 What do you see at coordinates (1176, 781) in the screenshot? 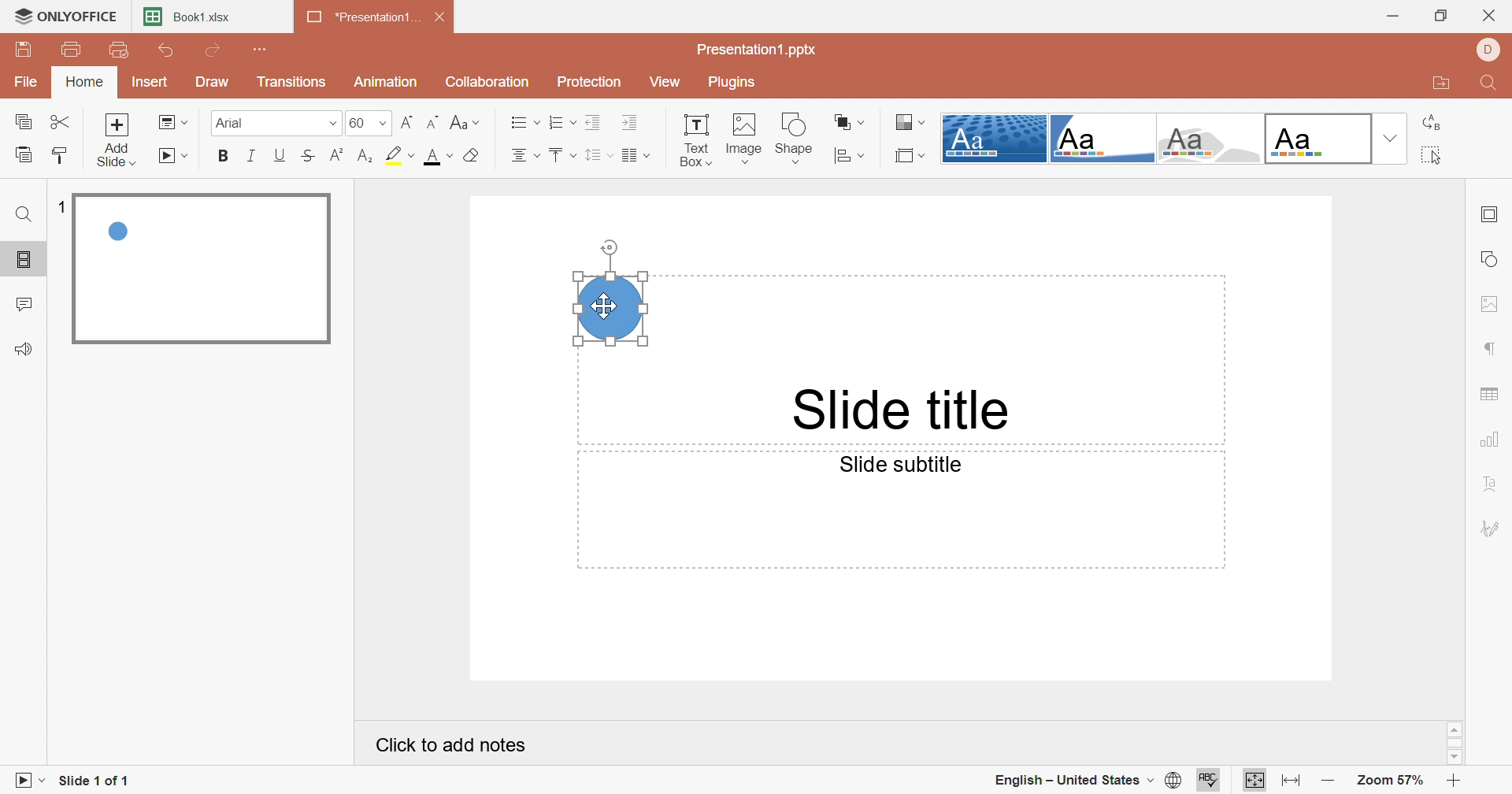
I see `Set document language` at bounding box center [1176, 781].